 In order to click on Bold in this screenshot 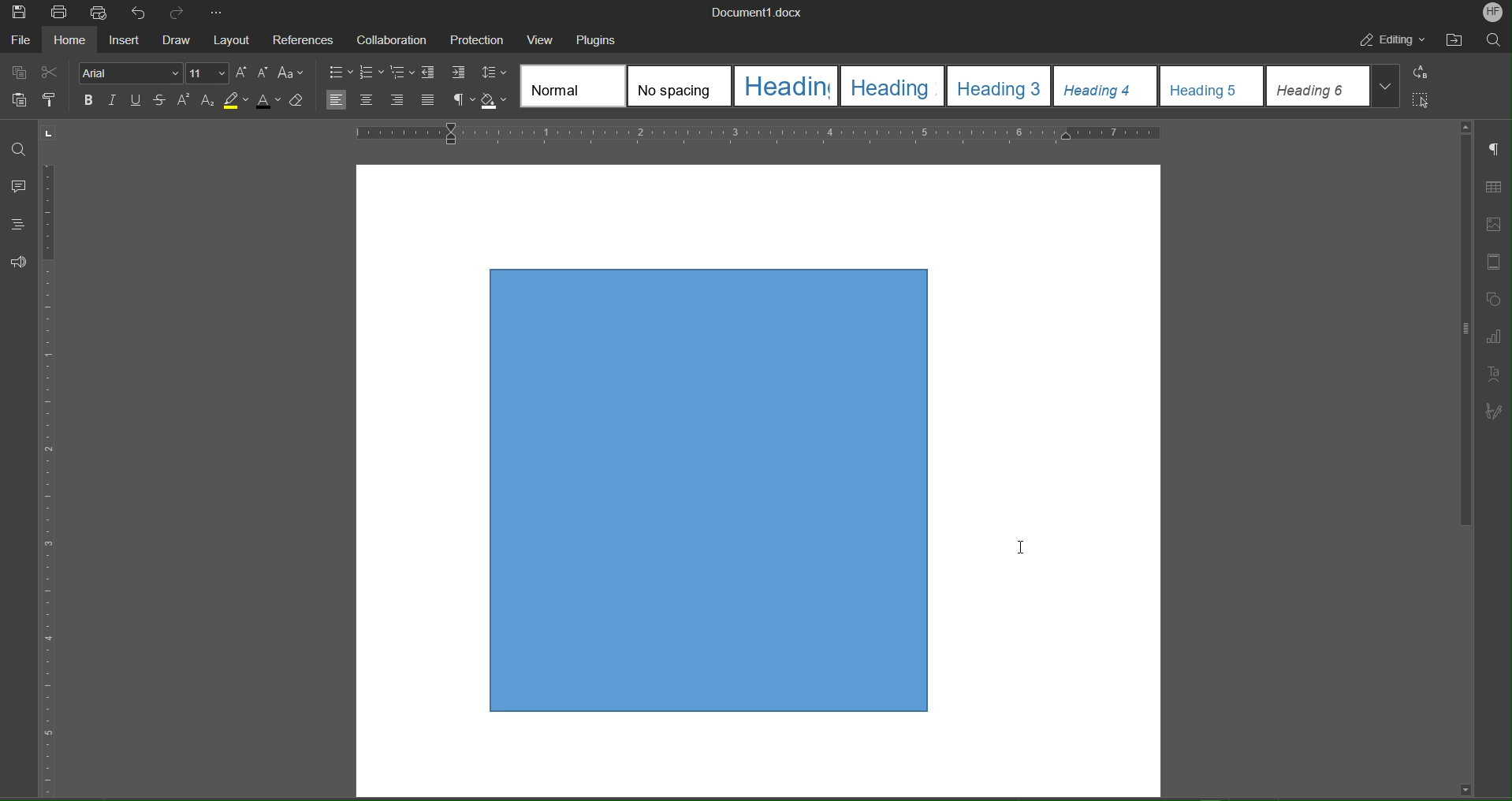, I will do `click(88, 100)`.